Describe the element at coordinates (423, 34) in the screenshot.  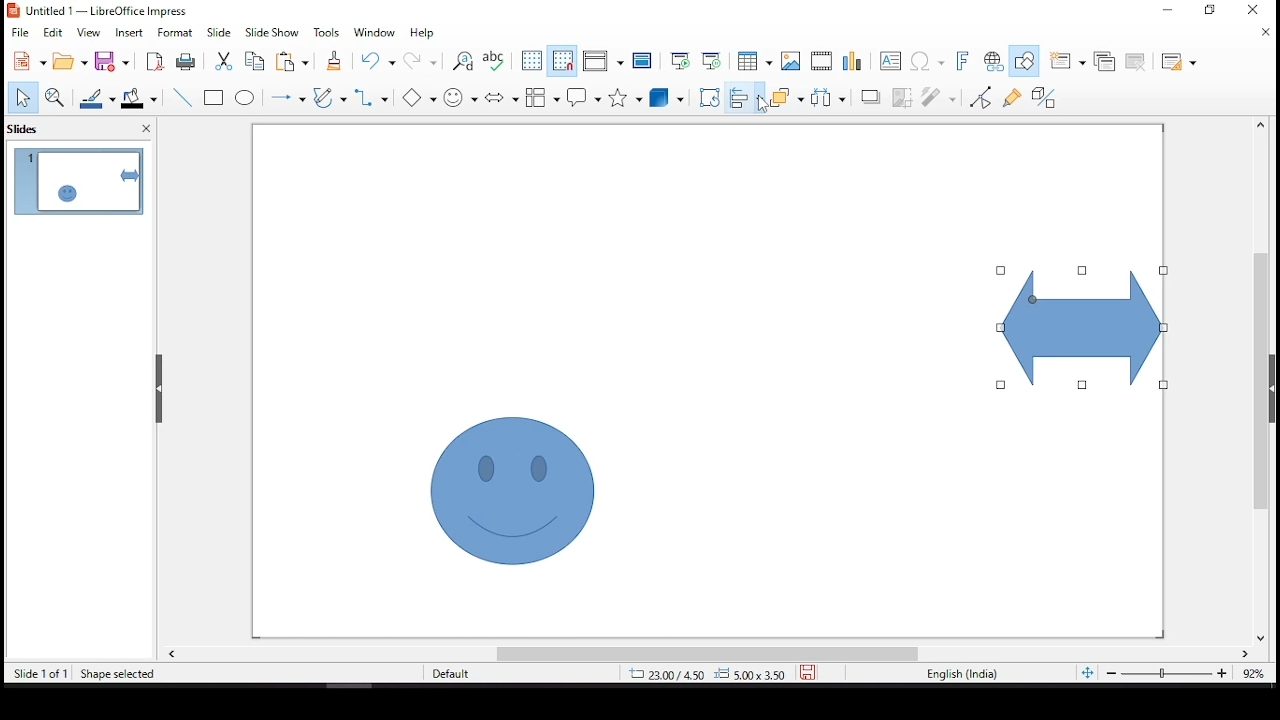
I see `help` at that location.